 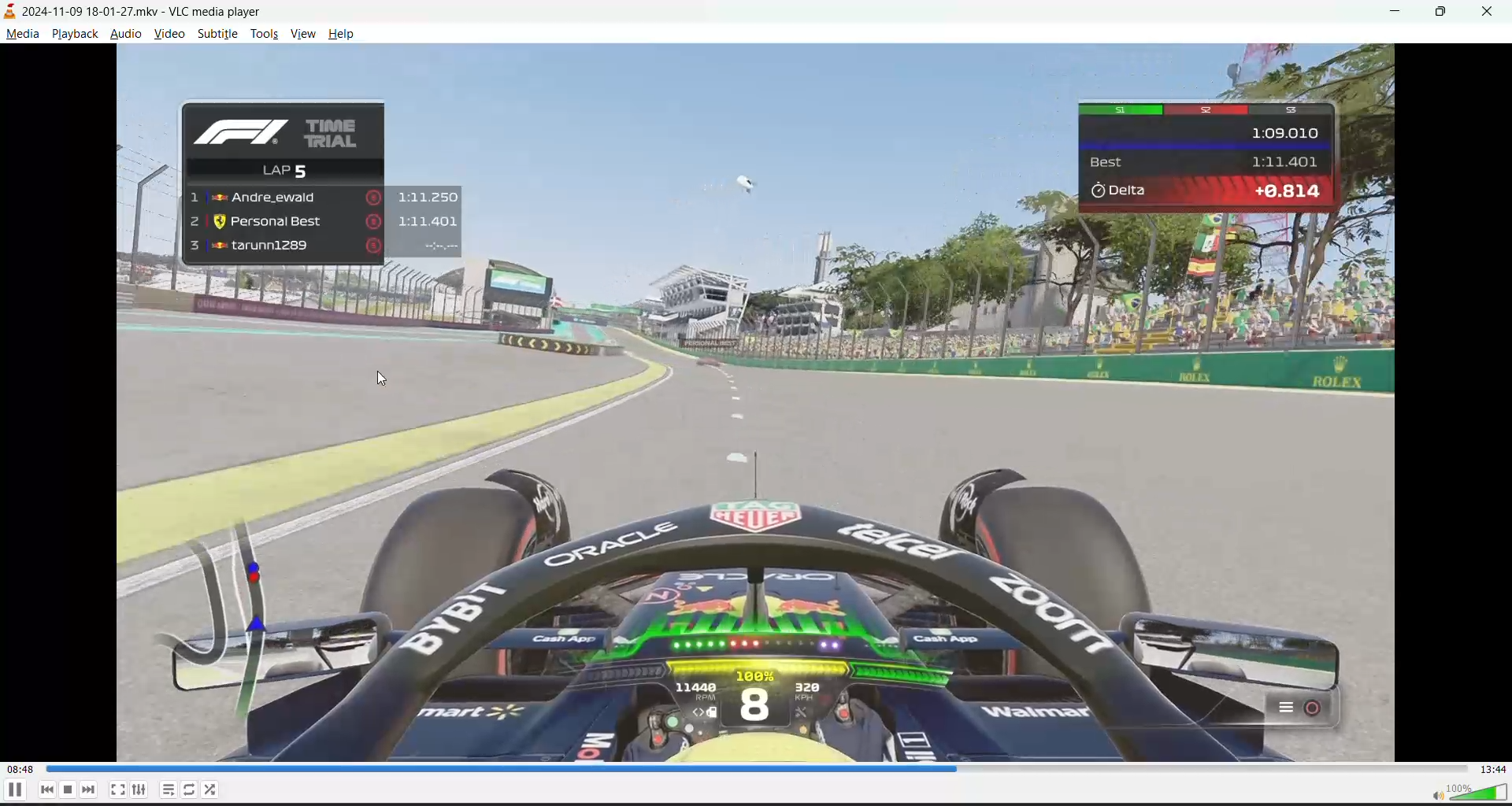 What do you see at coordinates (116, 789) in the screenshot?
I see `fullscreen` at bounding box center [116, 789].